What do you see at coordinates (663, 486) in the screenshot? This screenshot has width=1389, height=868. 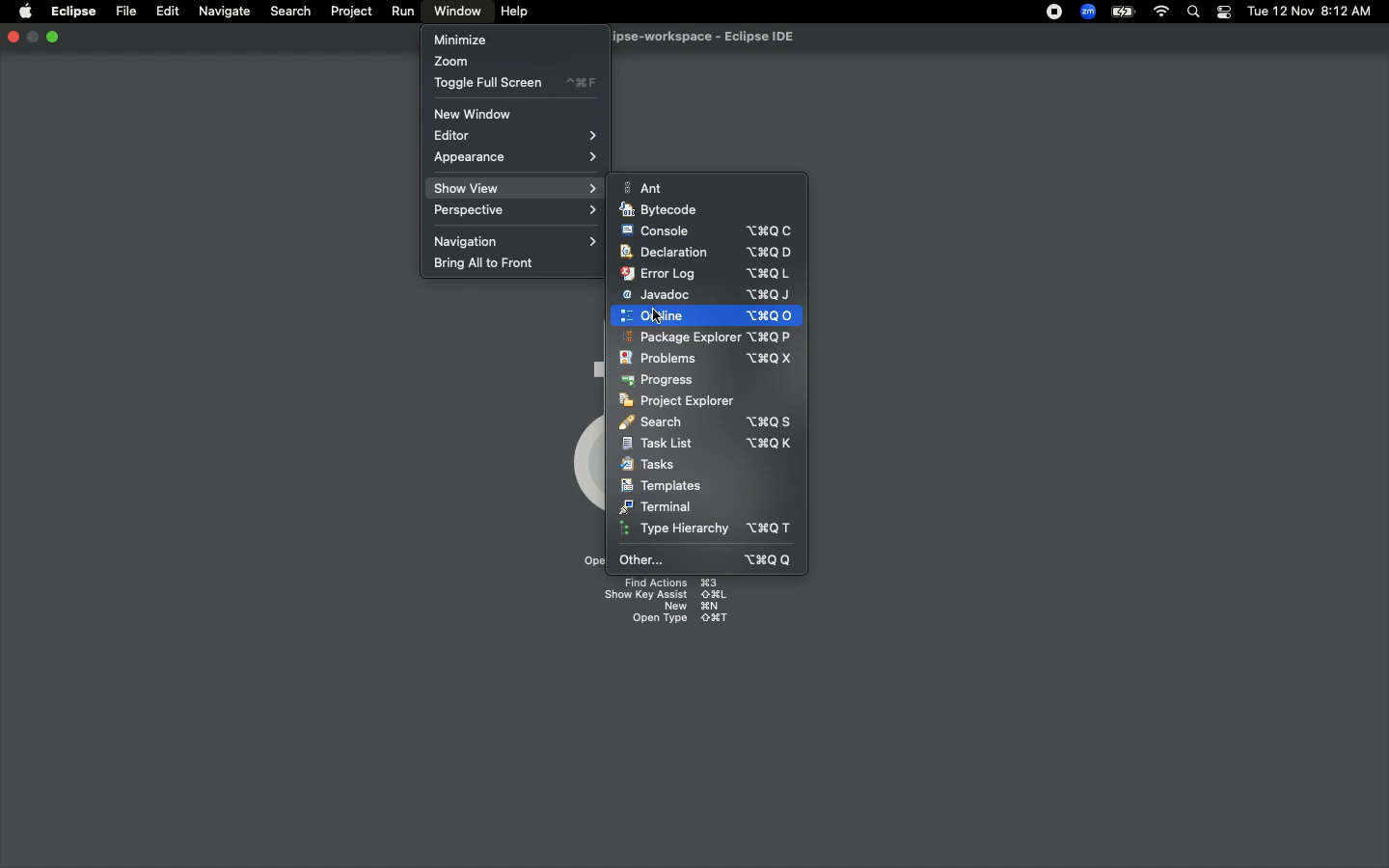 I see `Templates` at bounding box center [663, 486].